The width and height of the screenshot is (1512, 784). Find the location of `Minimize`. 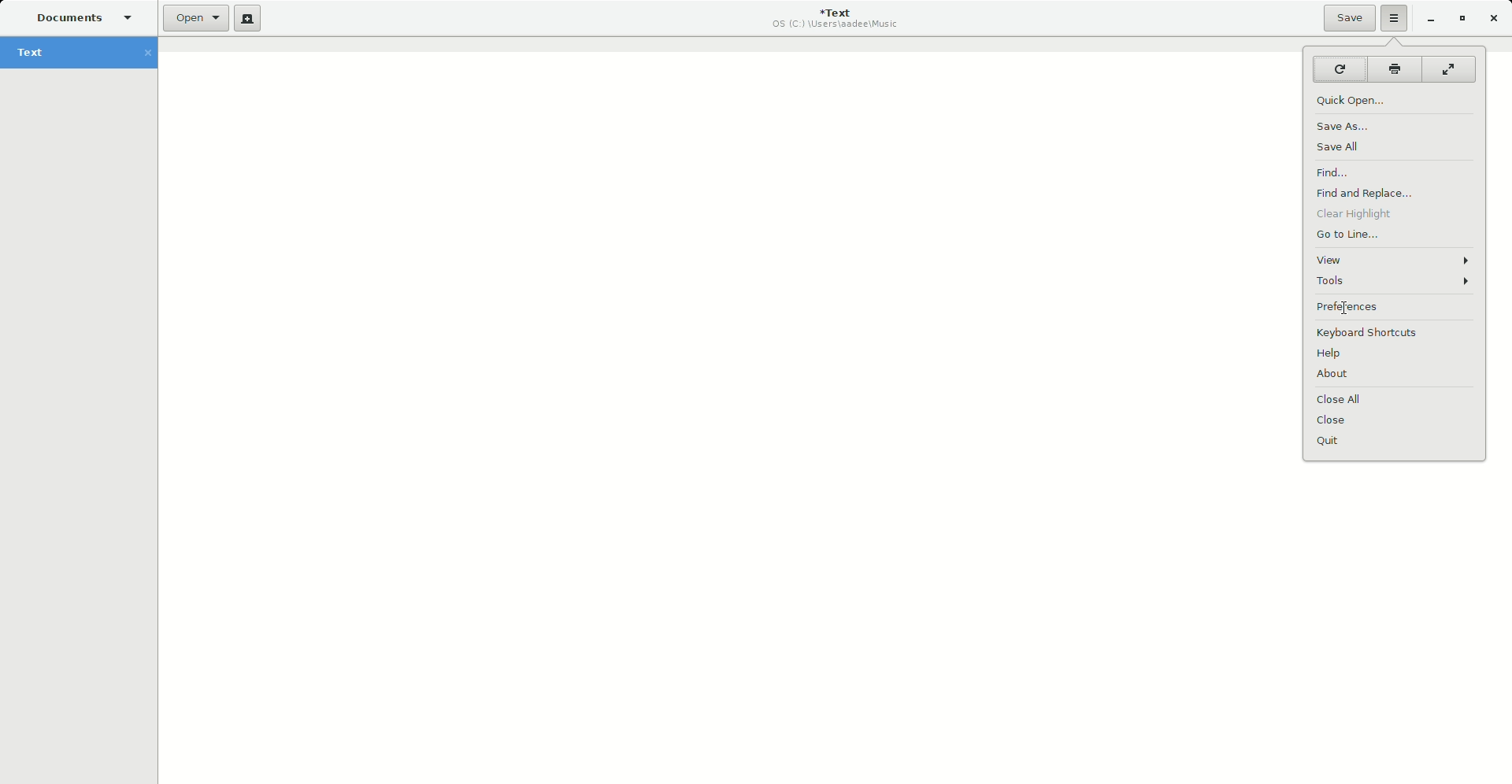

Minimize is located at coordinates (1430, 18).